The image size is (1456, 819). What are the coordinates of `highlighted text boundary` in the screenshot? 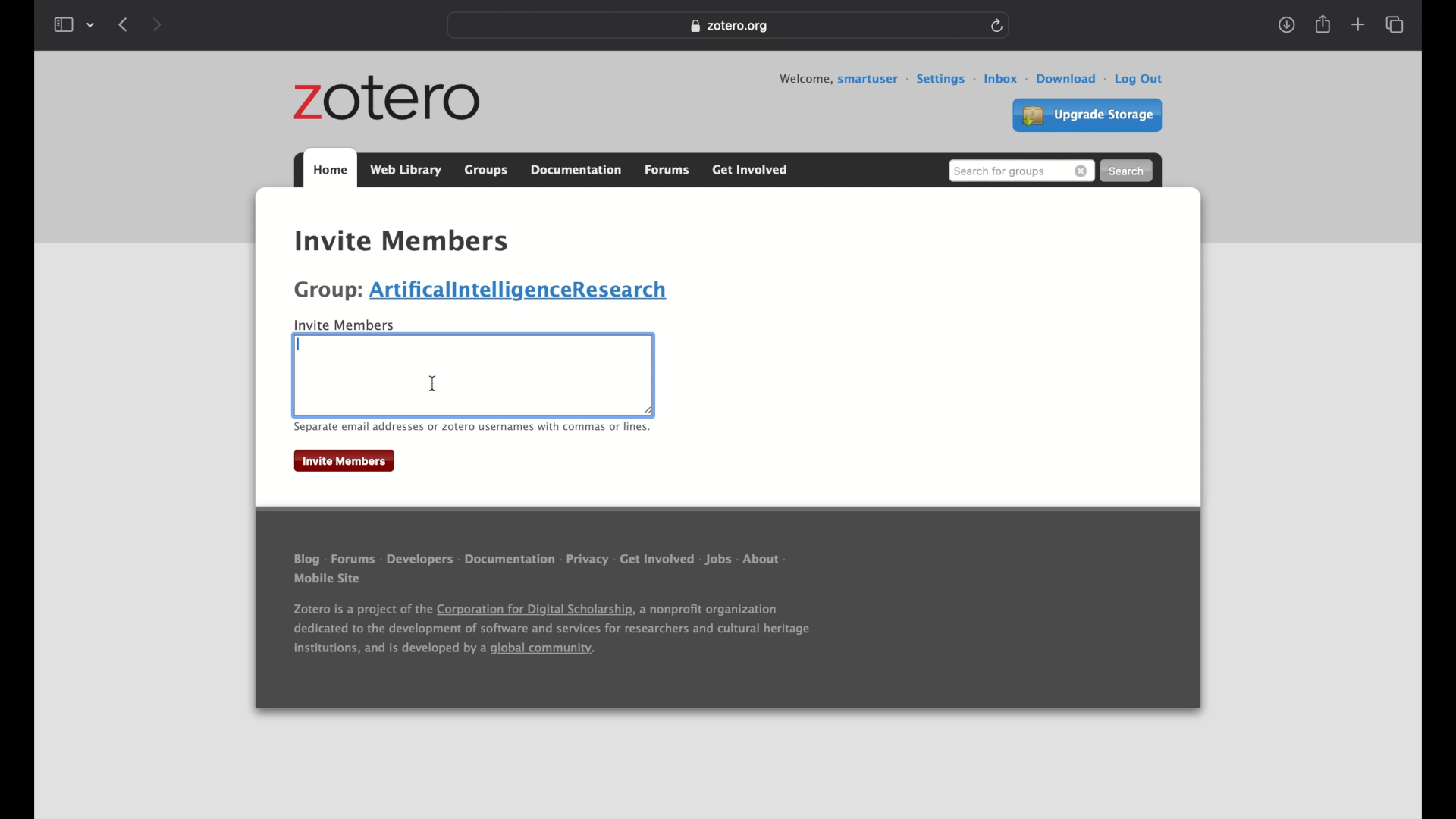 It's located at (654, 373).